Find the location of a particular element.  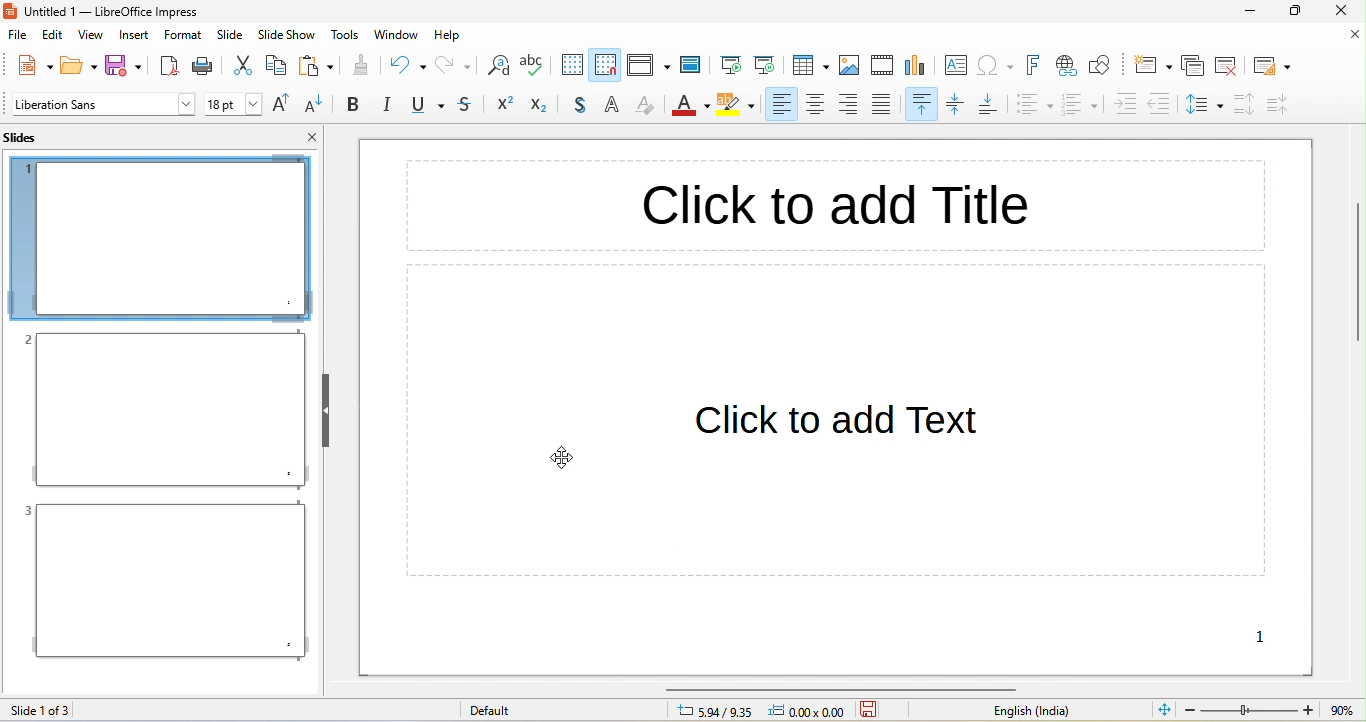

export directly as pdf is located at coordinates (168, 64).